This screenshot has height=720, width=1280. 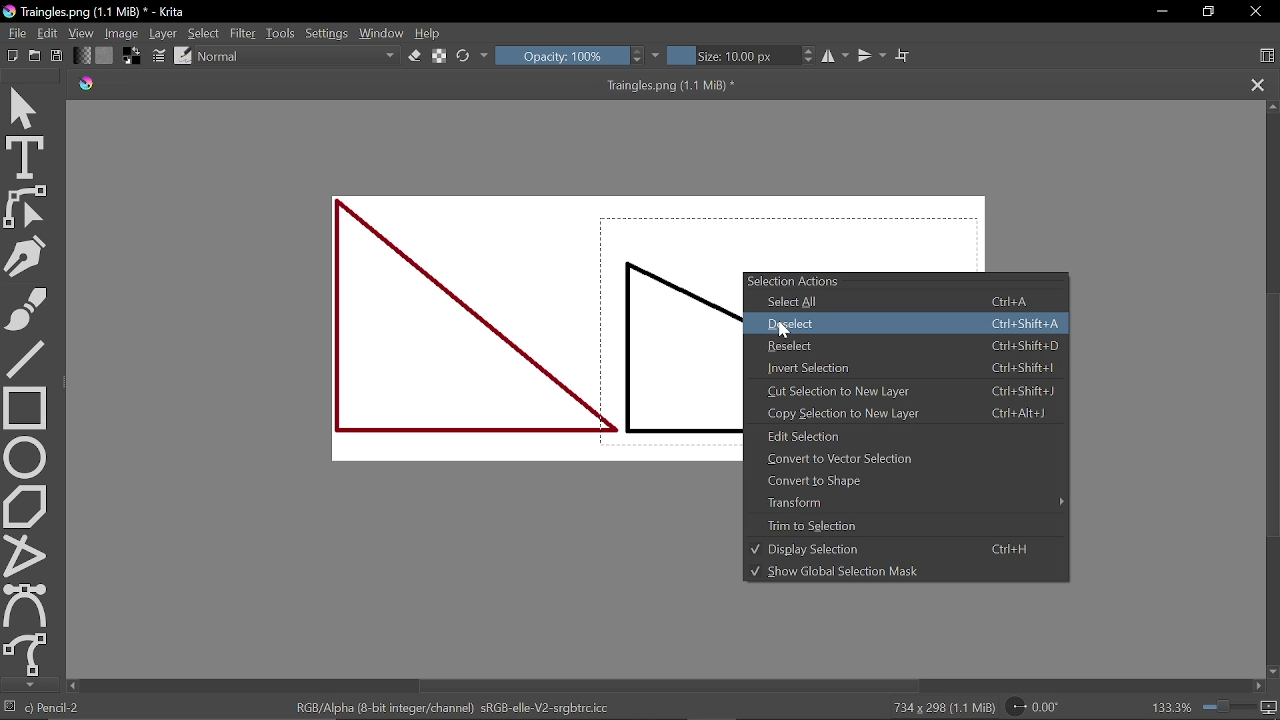 What do you see at coordinates (12, 708) in the screenshot?
I see `No selection` at bounding box center [12, 708].